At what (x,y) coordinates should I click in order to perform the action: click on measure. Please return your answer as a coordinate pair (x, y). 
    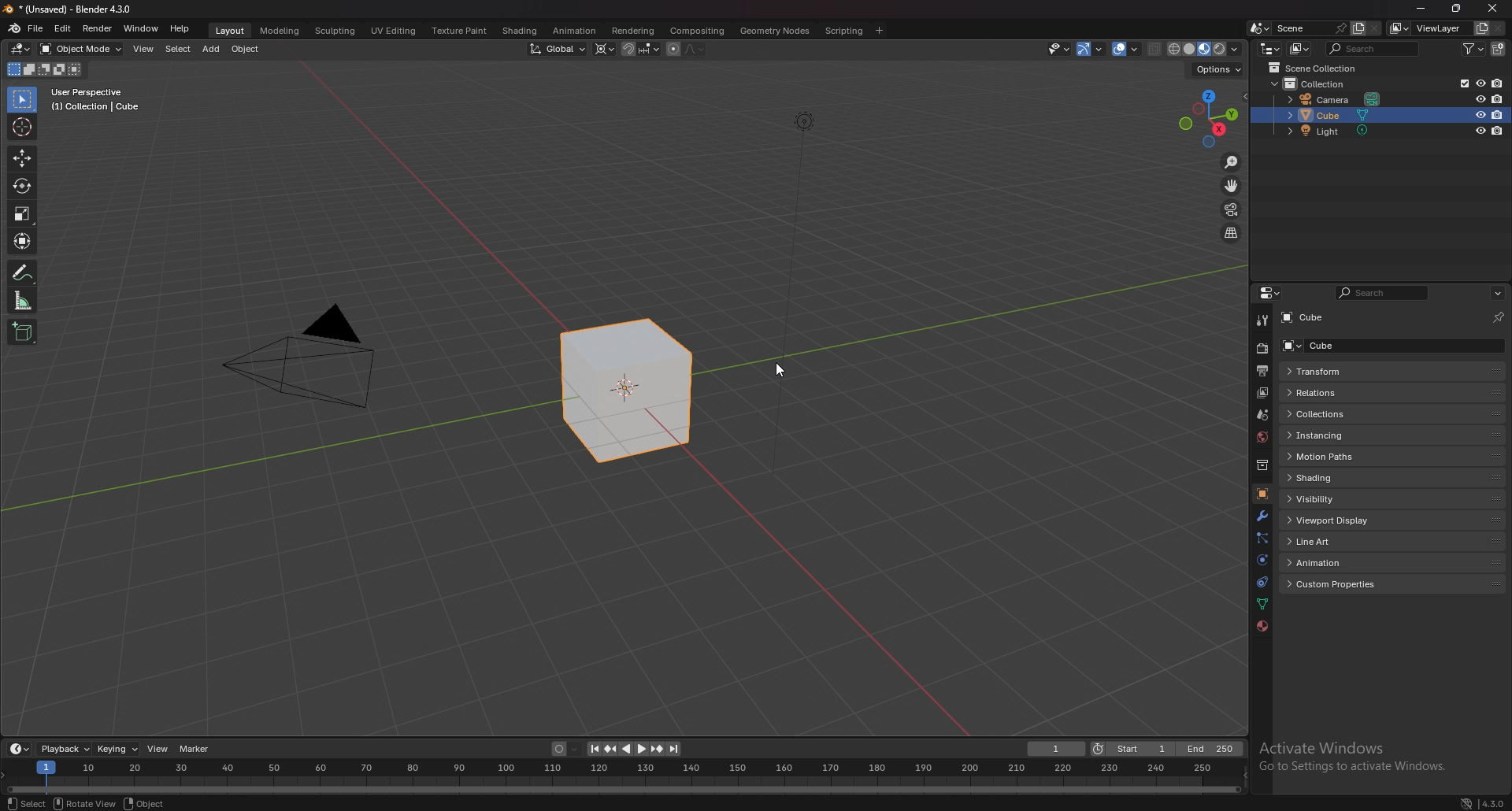
    Looking at the image, I should click on (23, 300).